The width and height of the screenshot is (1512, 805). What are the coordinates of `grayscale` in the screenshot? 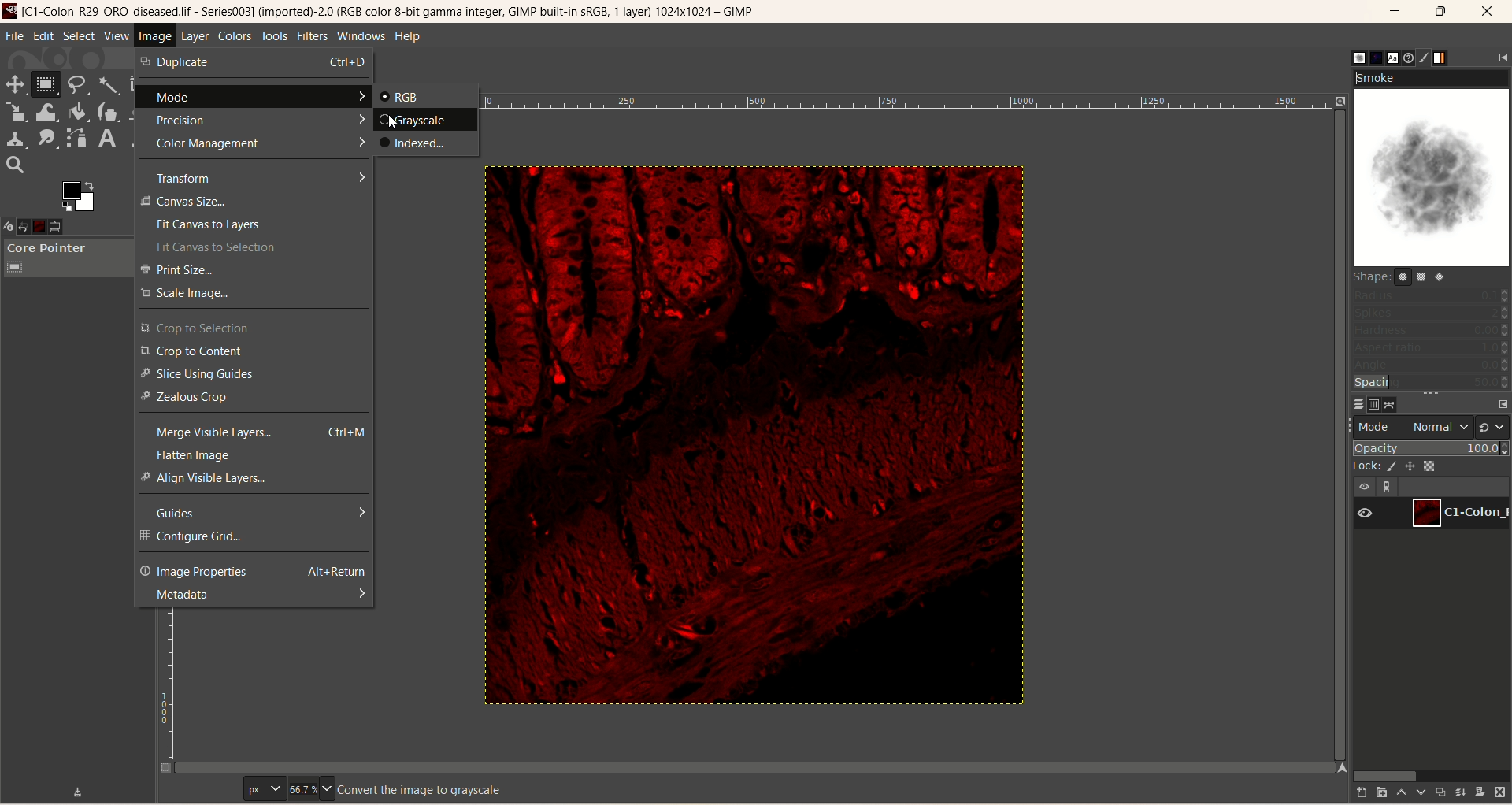 It's located at (426, 121).